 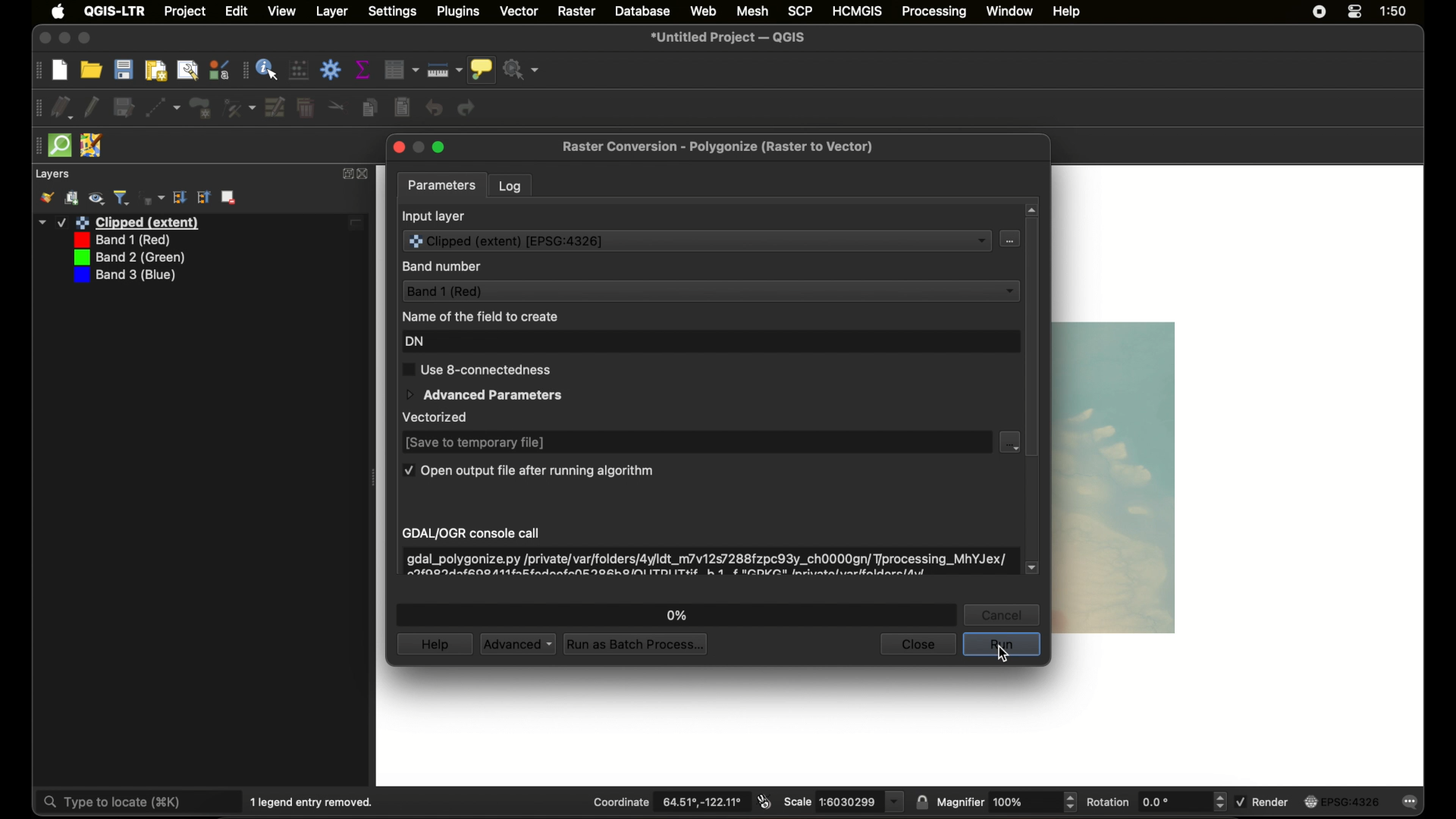 What do you see at coordinates (152, 198) in the screenshot?
I see `filter legend by expression` at bounding box center [152, 198].